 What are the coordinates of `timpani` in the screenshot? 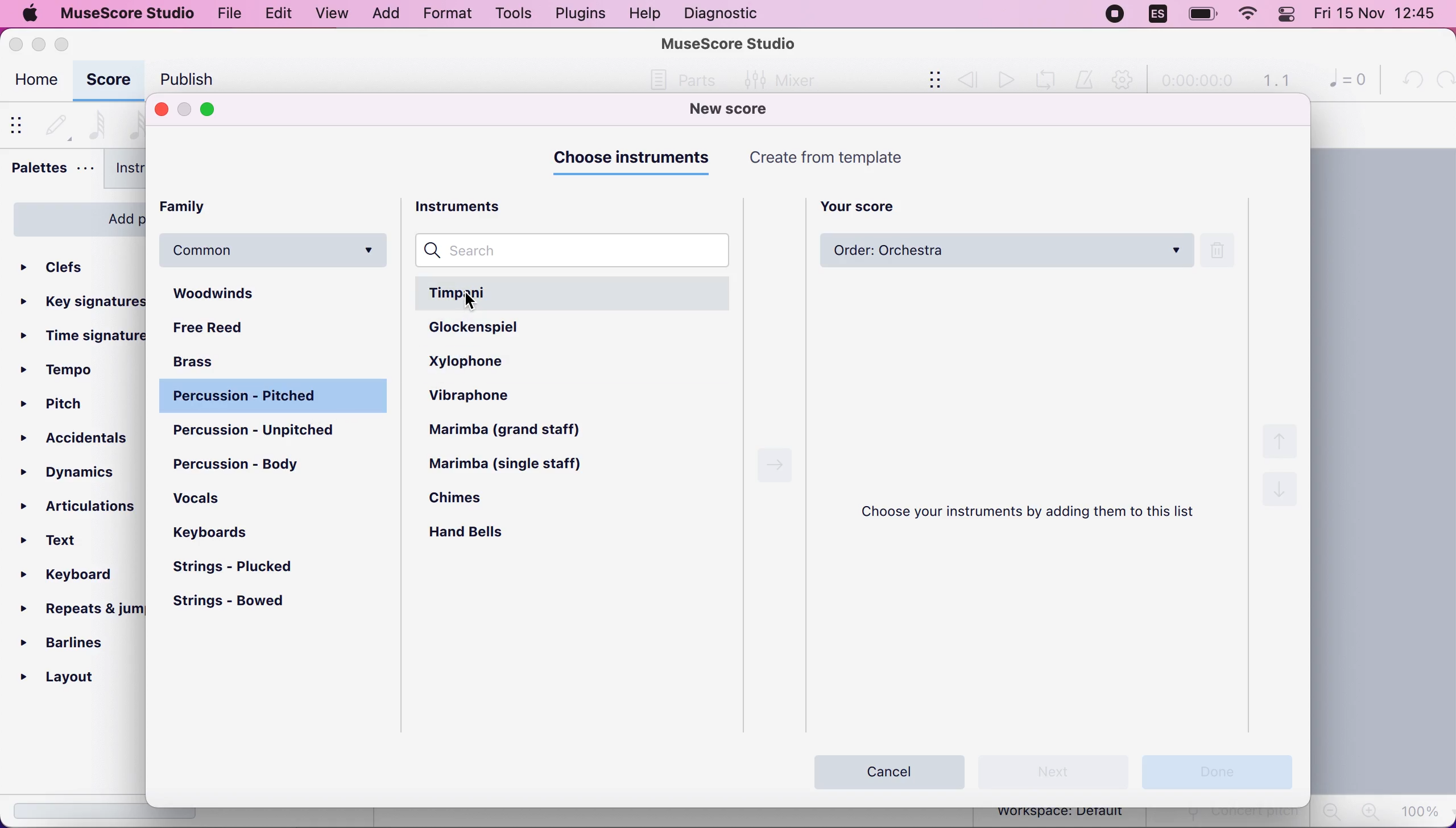 It's located at (576, 292).